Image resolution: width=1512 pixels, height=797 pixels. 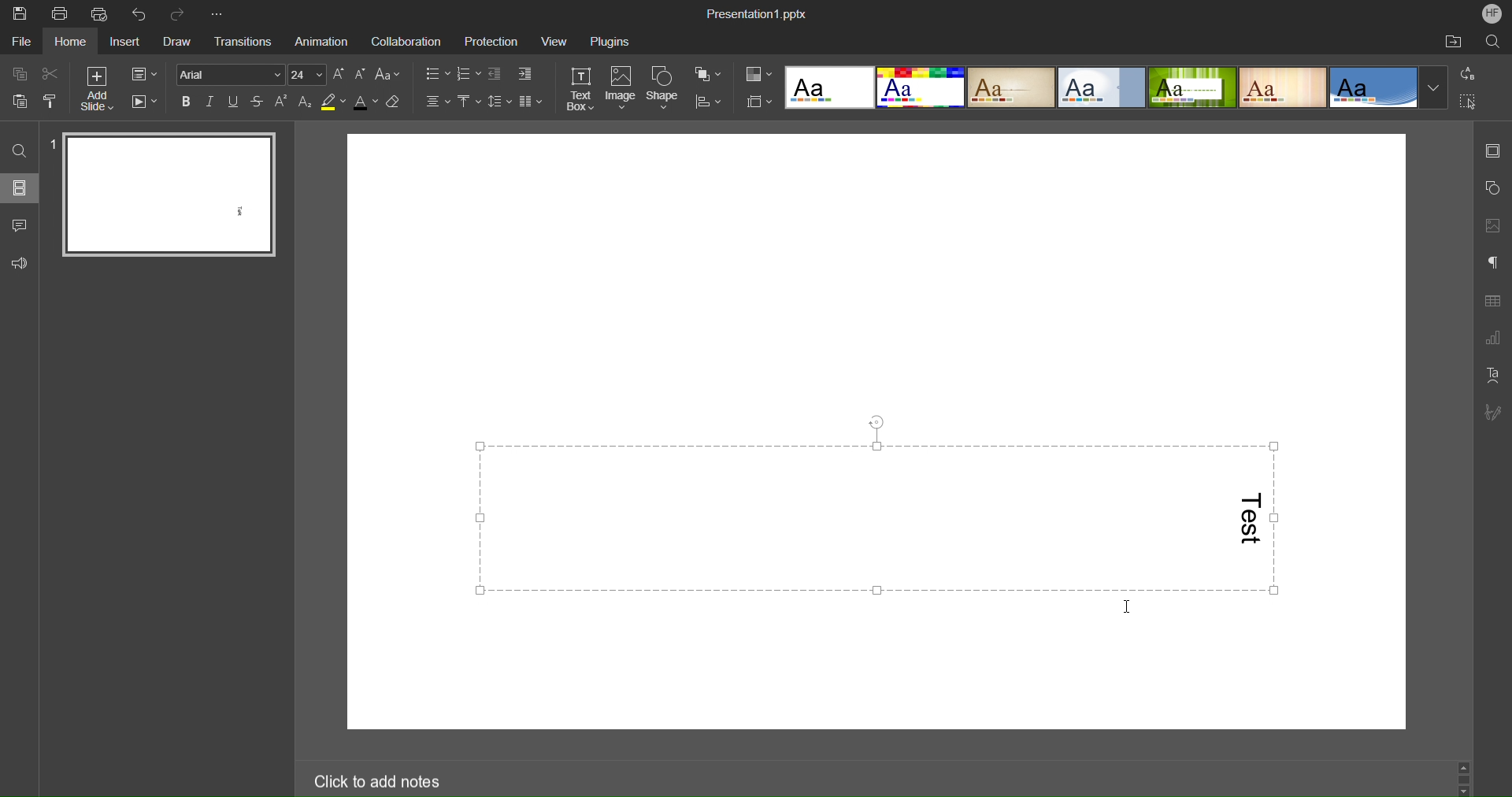 I want to click on Subscript, so click(x=305, y=102).